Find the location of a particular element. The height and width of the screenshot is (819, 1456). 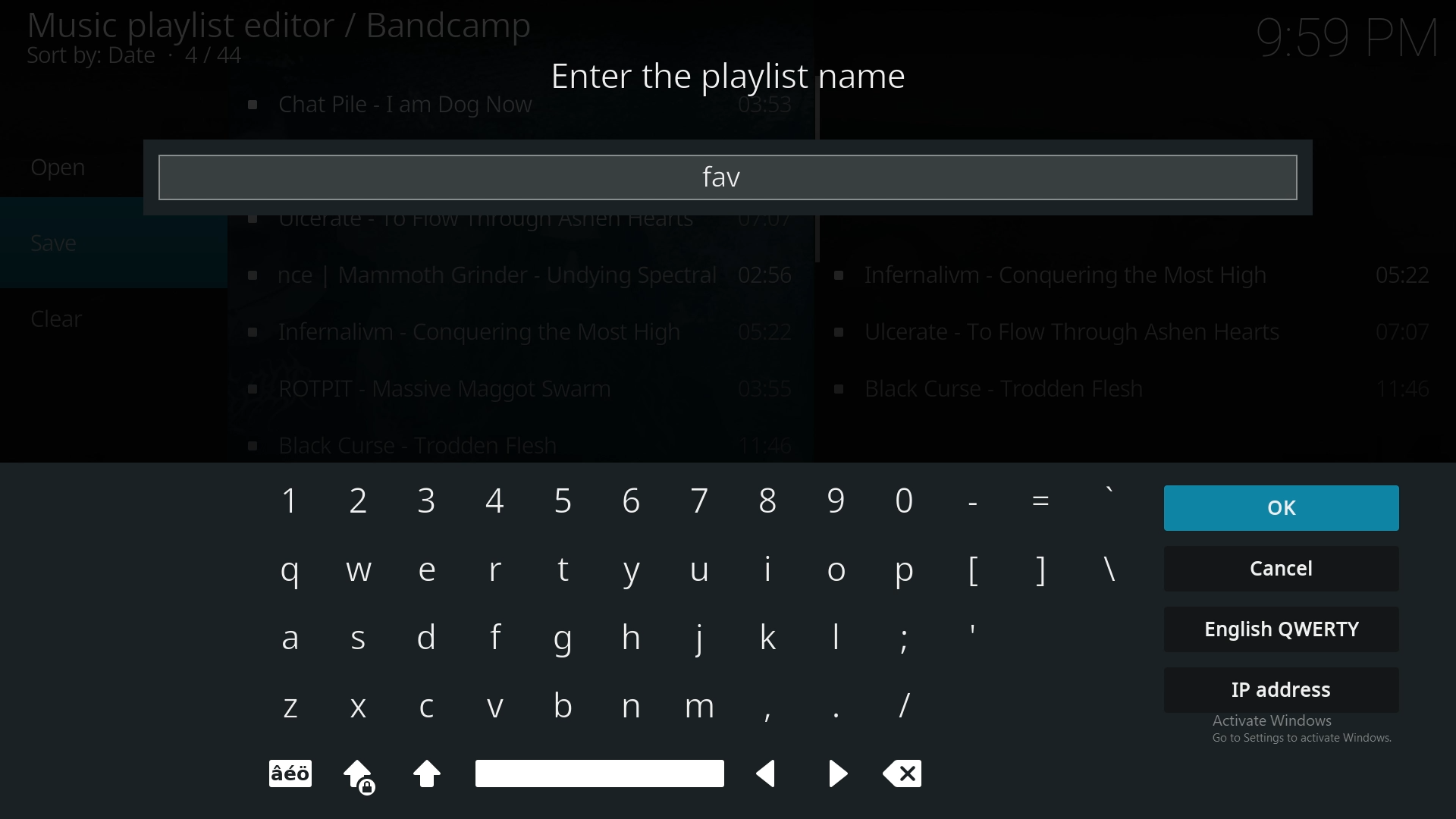

keyboard input is located at coordinates (635, 636).